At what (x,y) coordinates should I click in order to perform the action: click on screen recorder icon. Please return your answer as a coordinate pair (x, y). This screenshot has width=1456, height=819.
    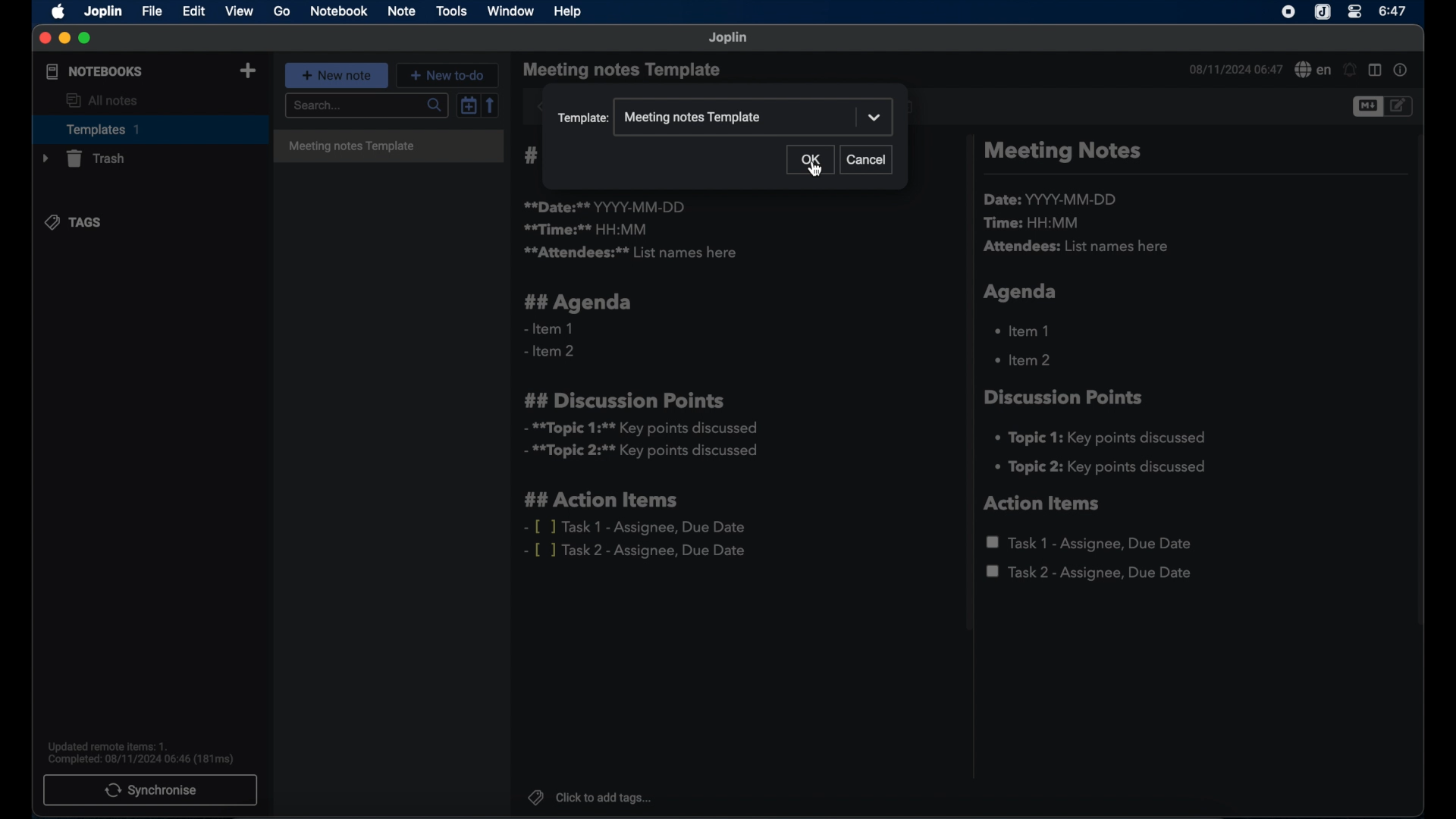
    Looking at the image, I should click on (1289, 12).